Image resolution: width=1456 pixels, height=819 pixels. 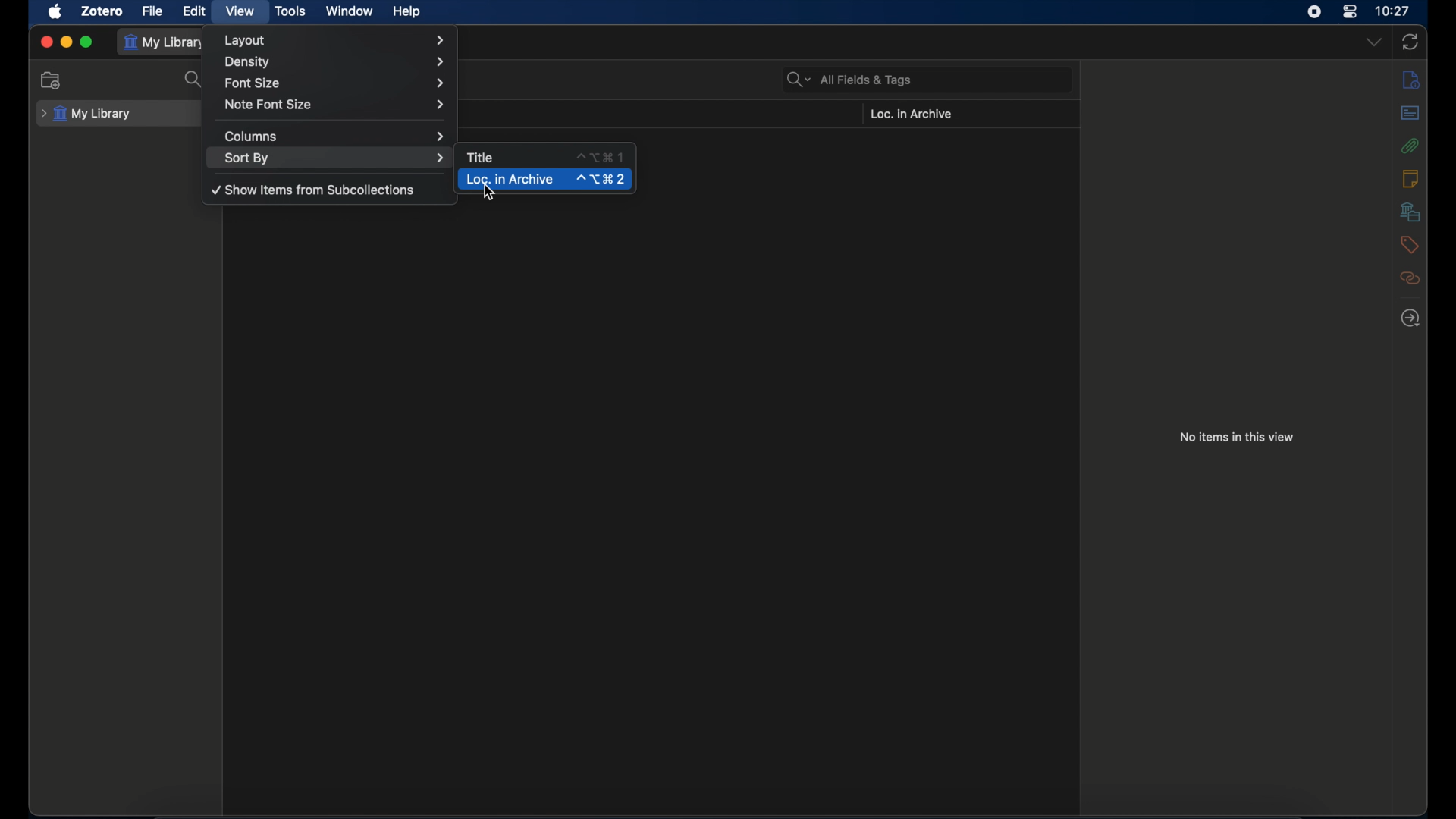 What do you see at coordinates (1410, 178) in the screenshot?
I see `notes` at bounding box center [1410, 178].